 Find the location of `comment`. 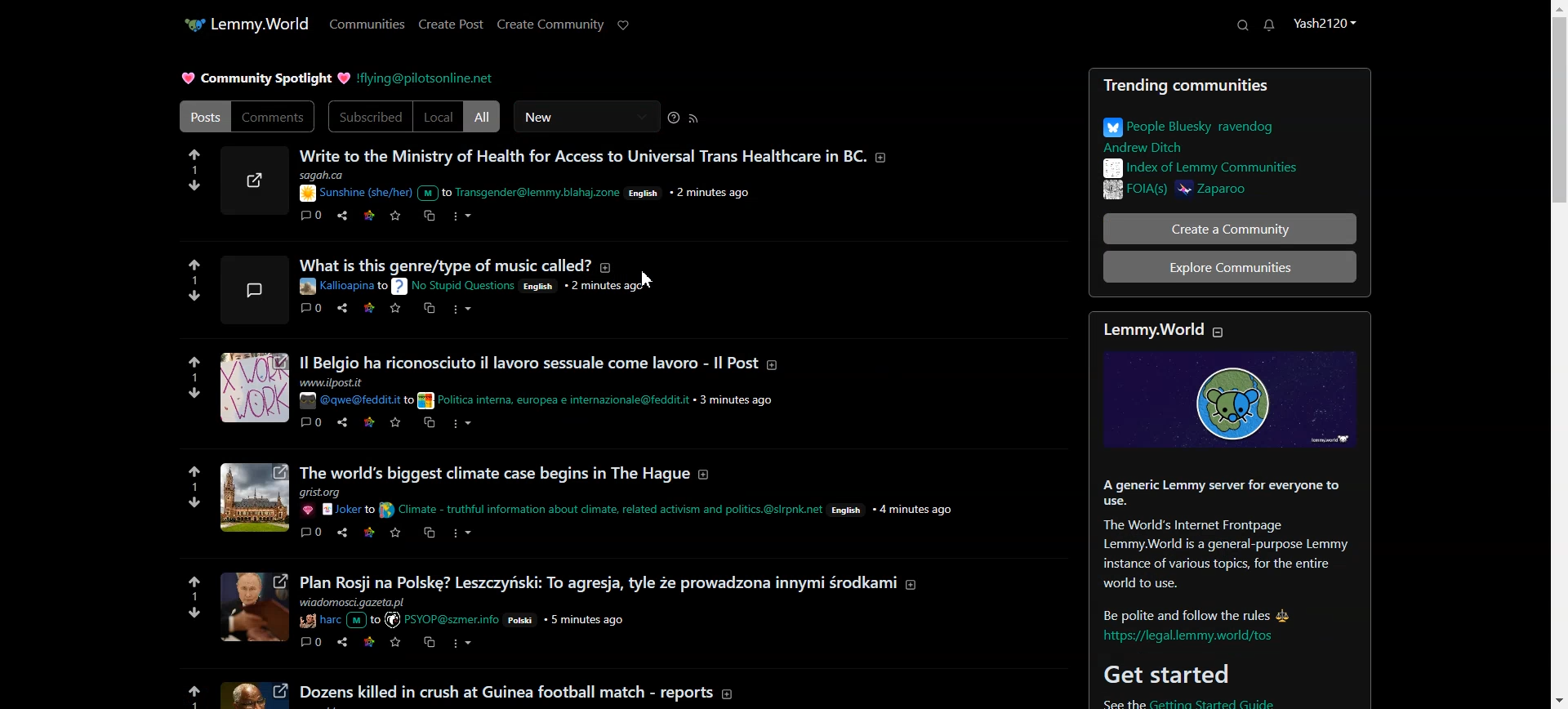

comment is located at coordinates (311, 424).